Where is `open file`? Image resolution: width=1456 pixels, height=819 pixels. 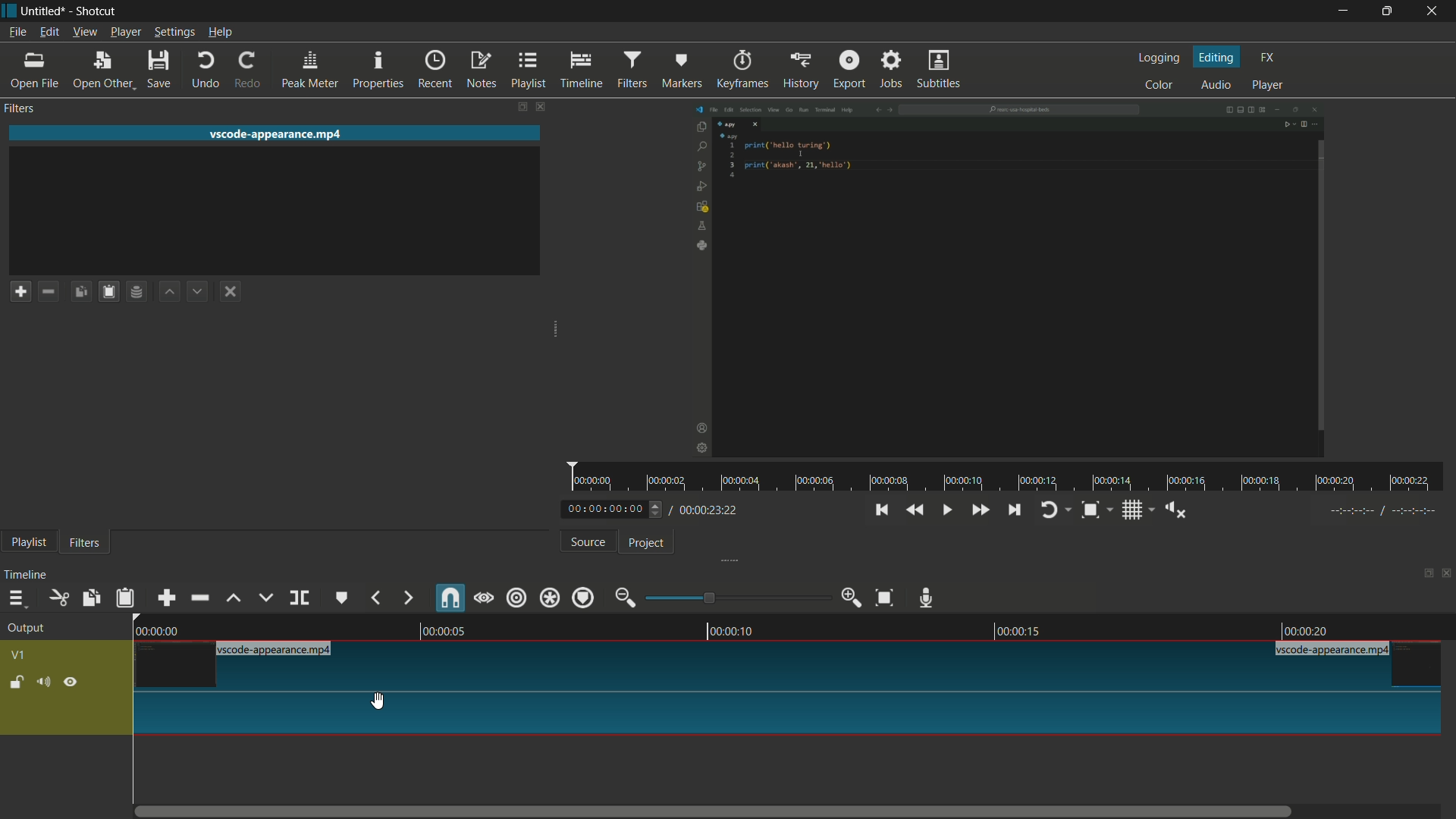 open file is located at coordinates (35, 71).